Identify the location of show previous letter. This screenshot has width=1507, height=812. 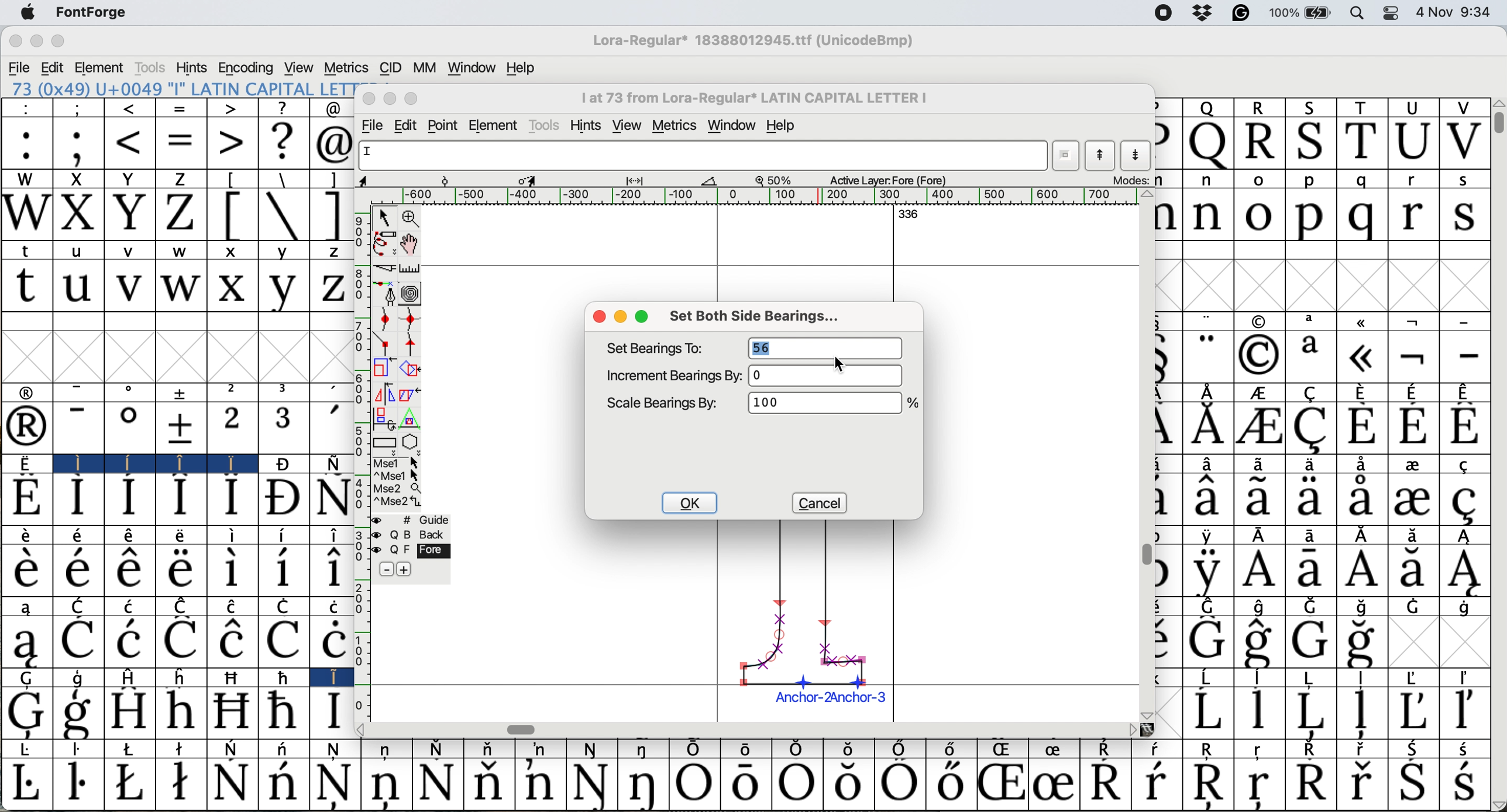
(1102, 156).